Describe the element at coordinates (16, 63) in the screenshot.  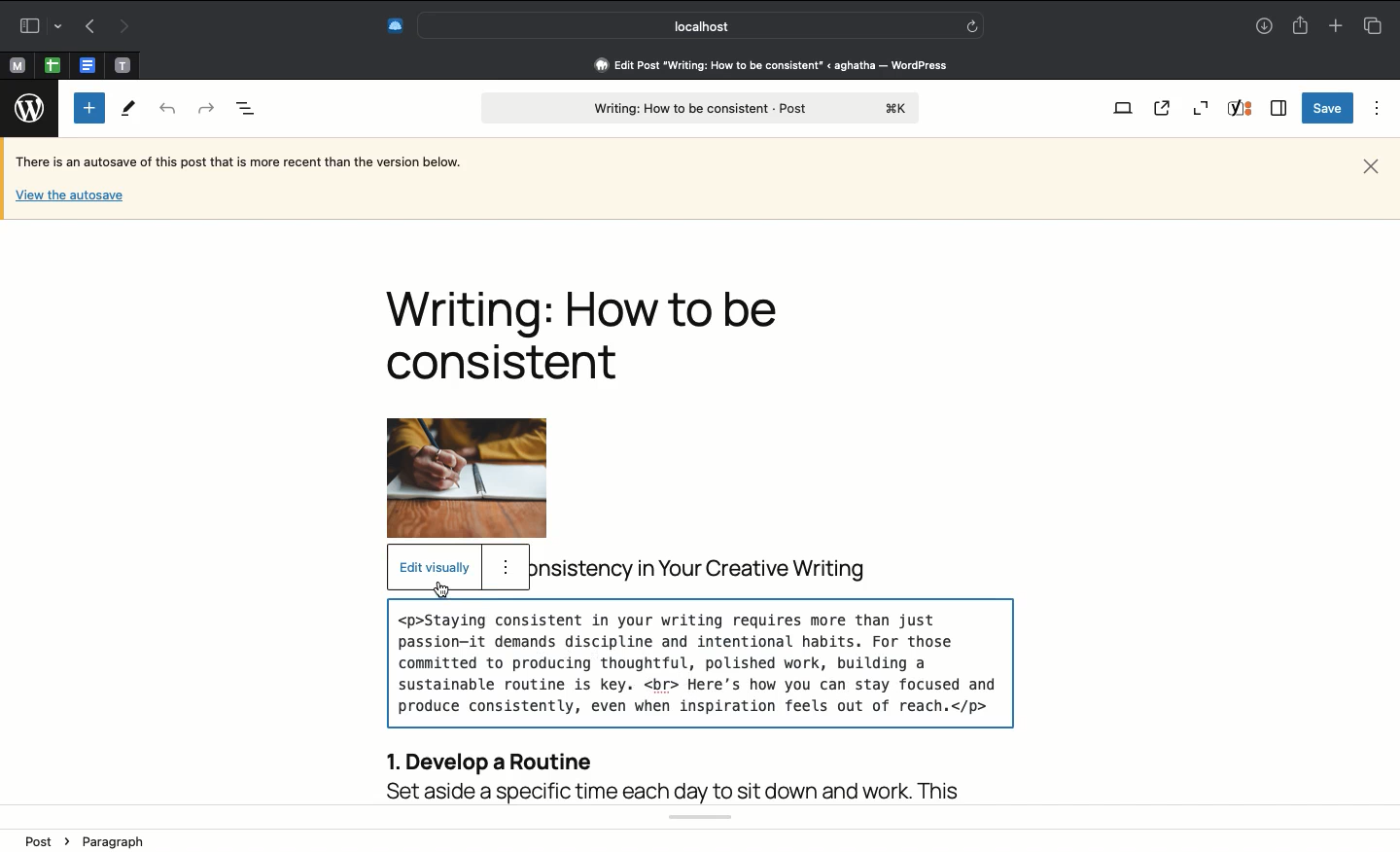
I see `pinned tab` at that location.